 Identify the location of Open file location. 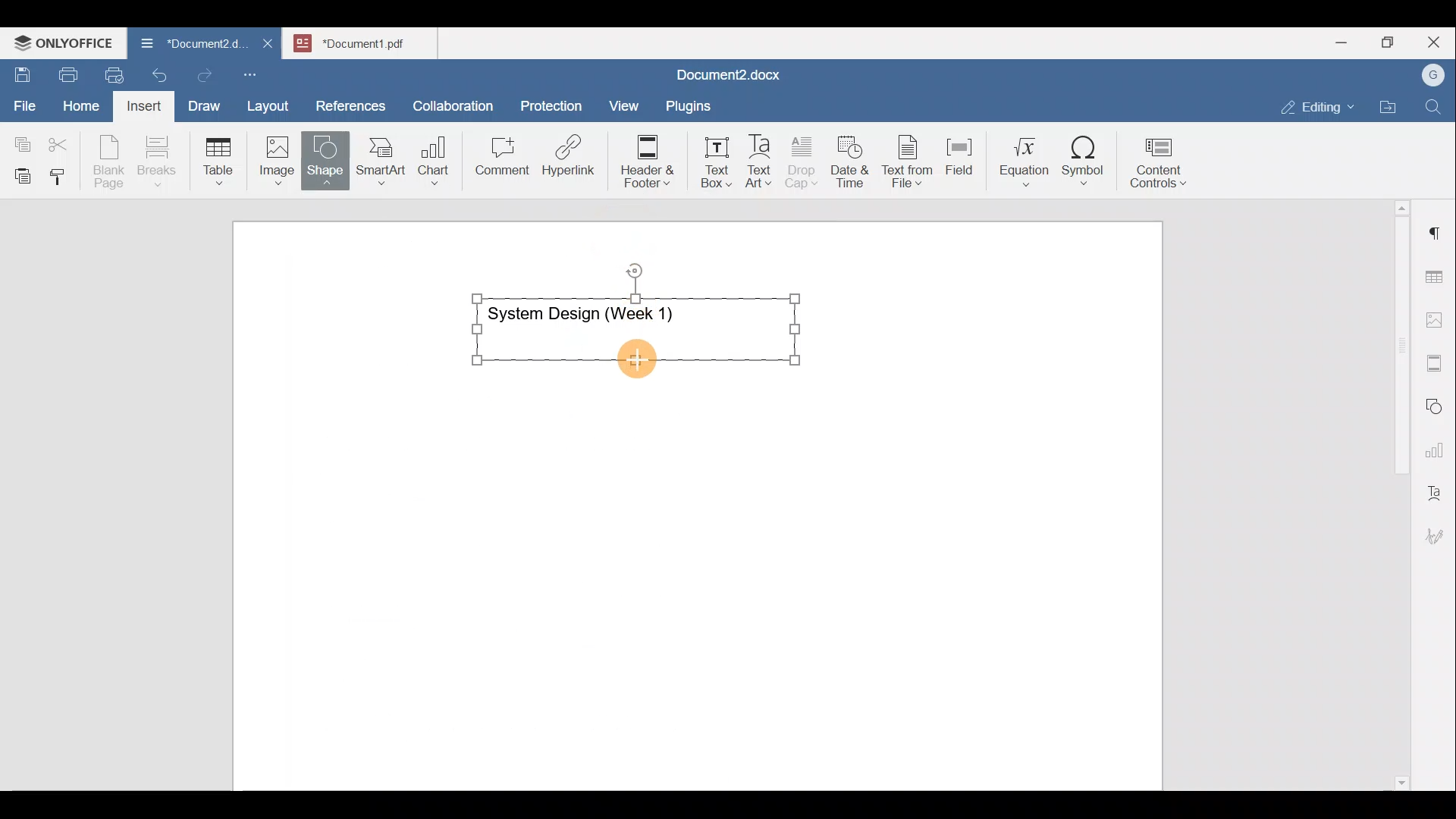
(1392, 108).